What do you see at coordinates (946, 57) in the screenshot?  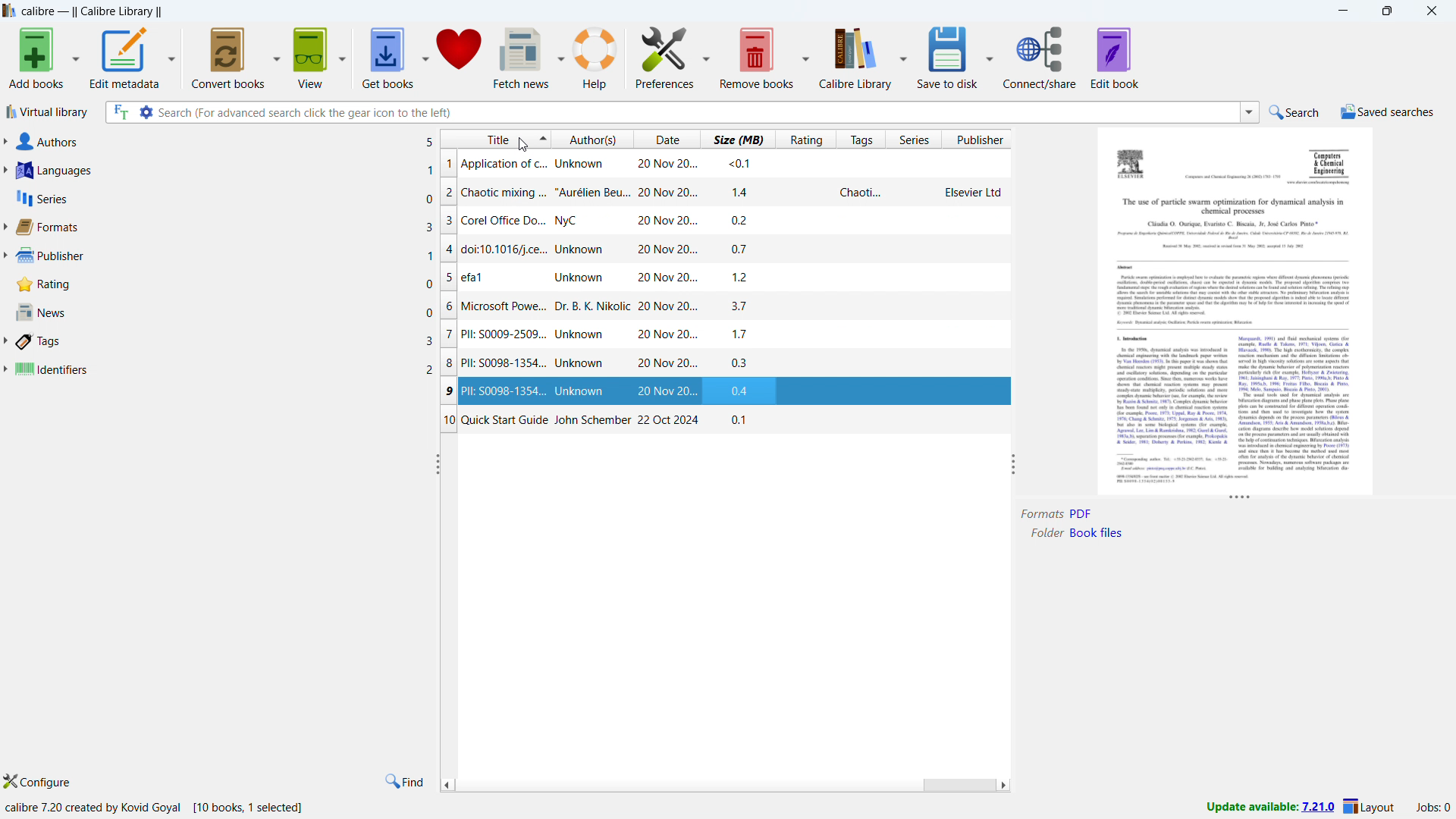 I see `save to disk ` at bounding box center [946, 57].